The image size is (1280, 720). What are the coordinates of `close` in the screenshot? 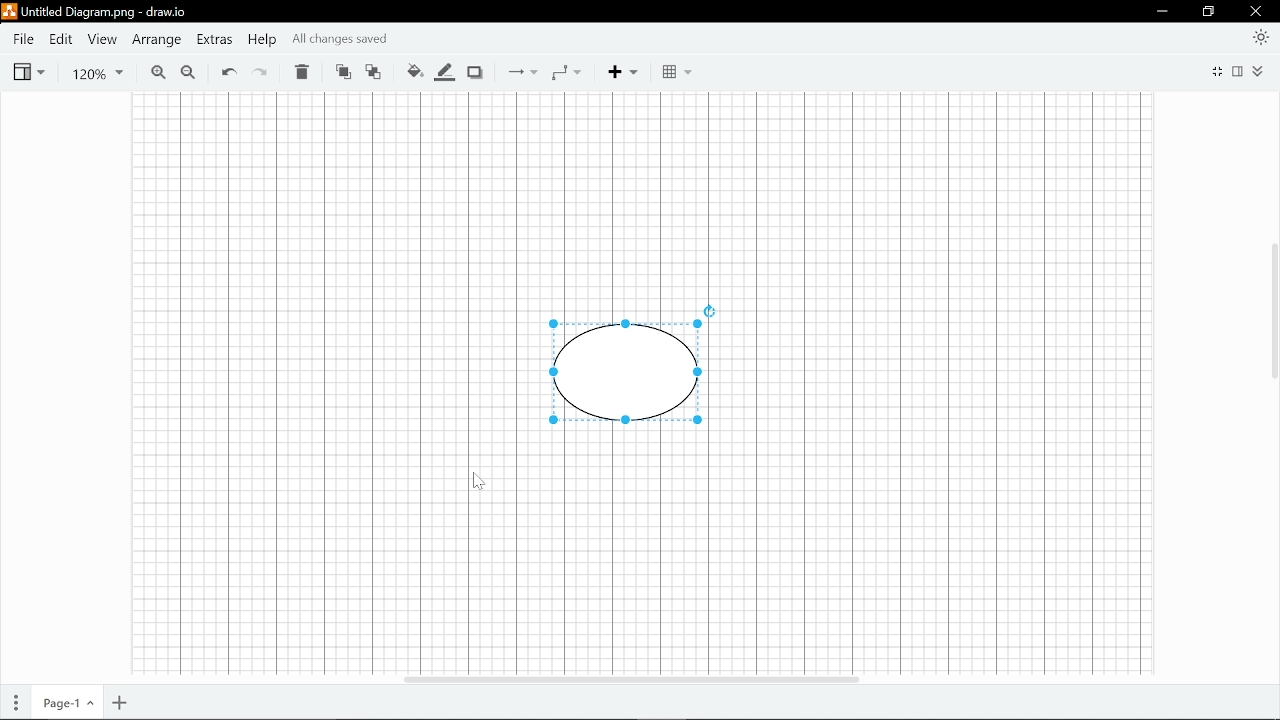 It's located at (1258, 11).